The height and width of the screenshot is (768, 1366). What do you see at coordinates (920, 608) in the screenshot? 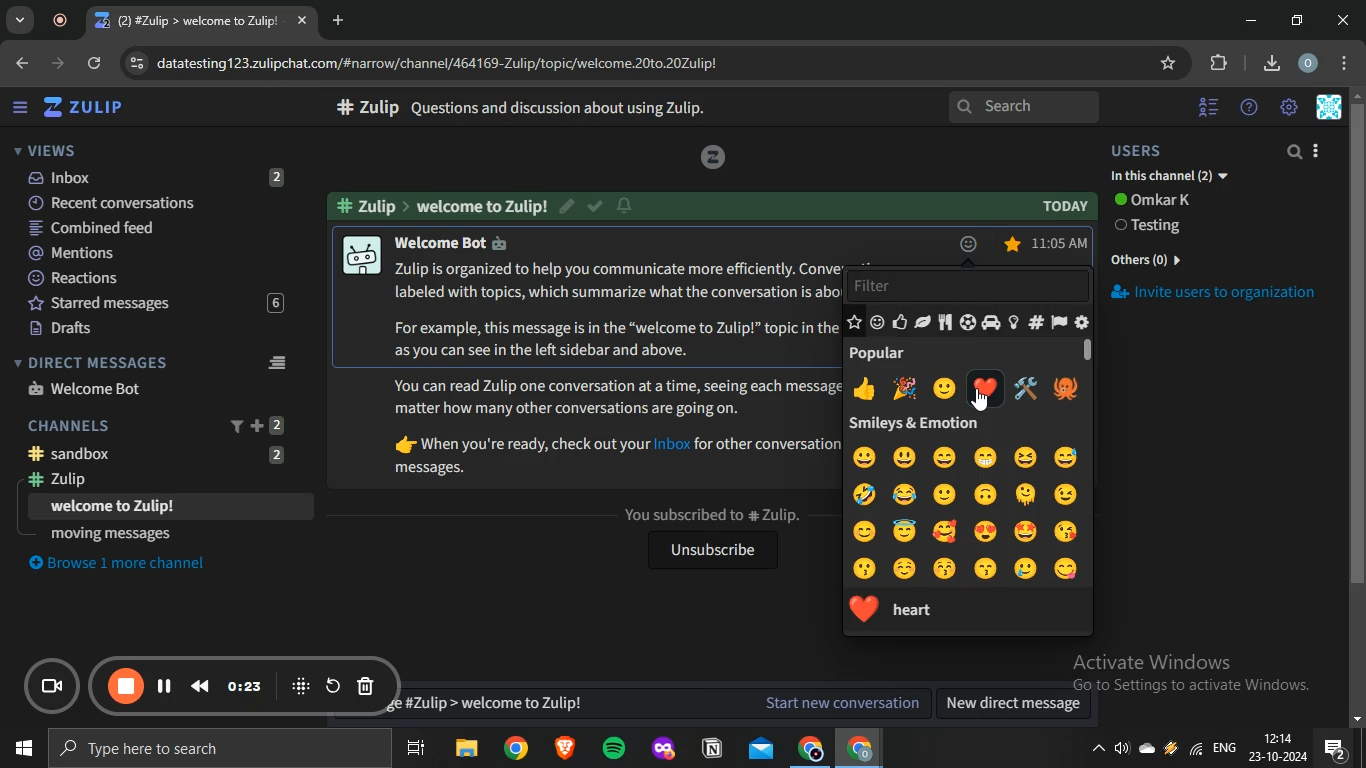
I see `heart` at bounding box center [920, 608].